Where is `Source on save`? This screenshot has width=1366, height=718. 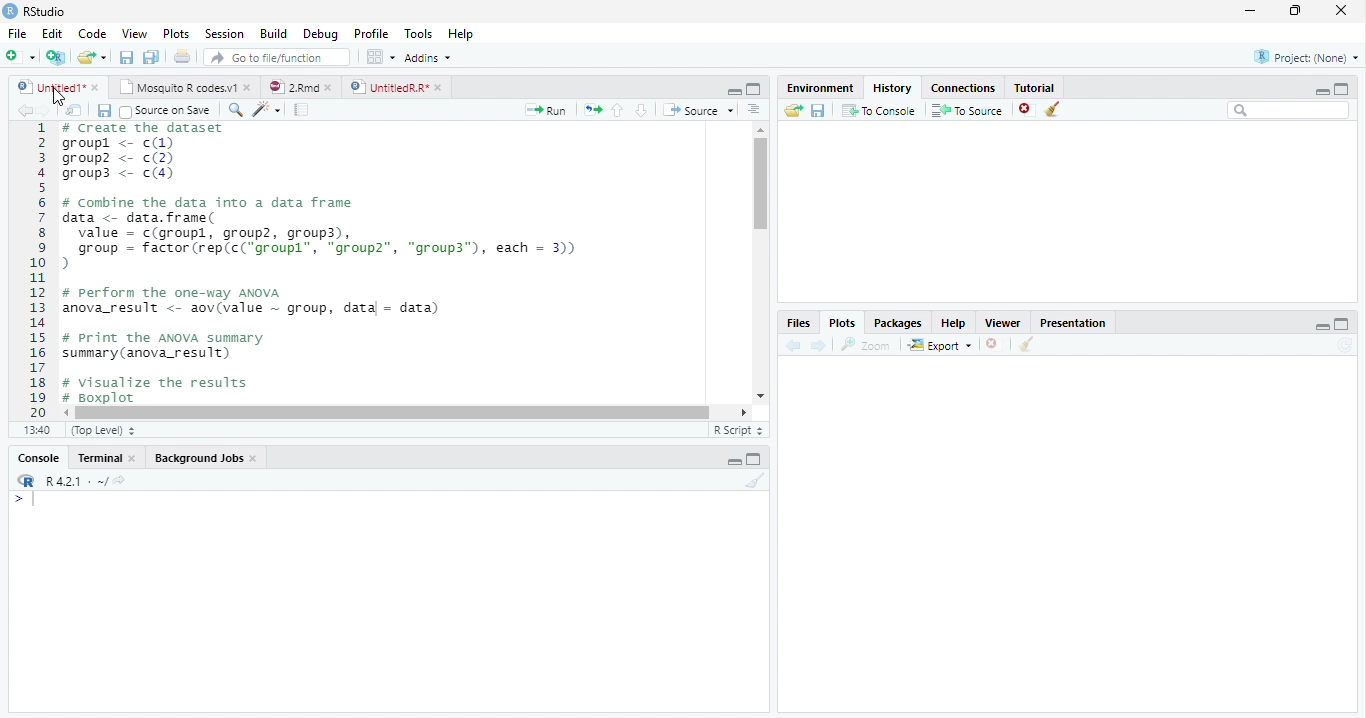 Source on save is located at coordinates (169, 111).